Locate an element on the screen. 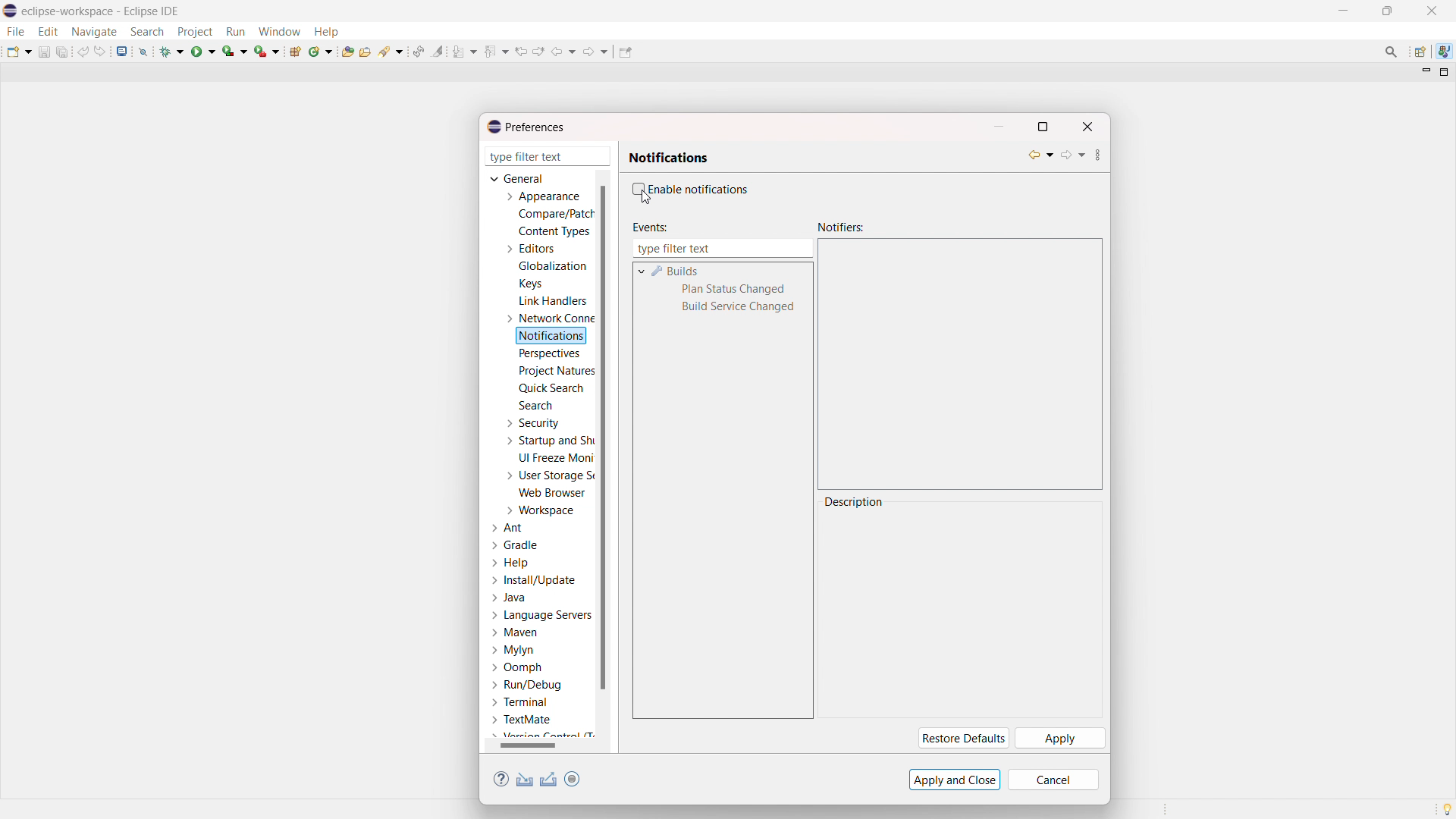 The image size is (1456, 819). toggle ant editor auto reconcile is located at coordinates (418, 51).